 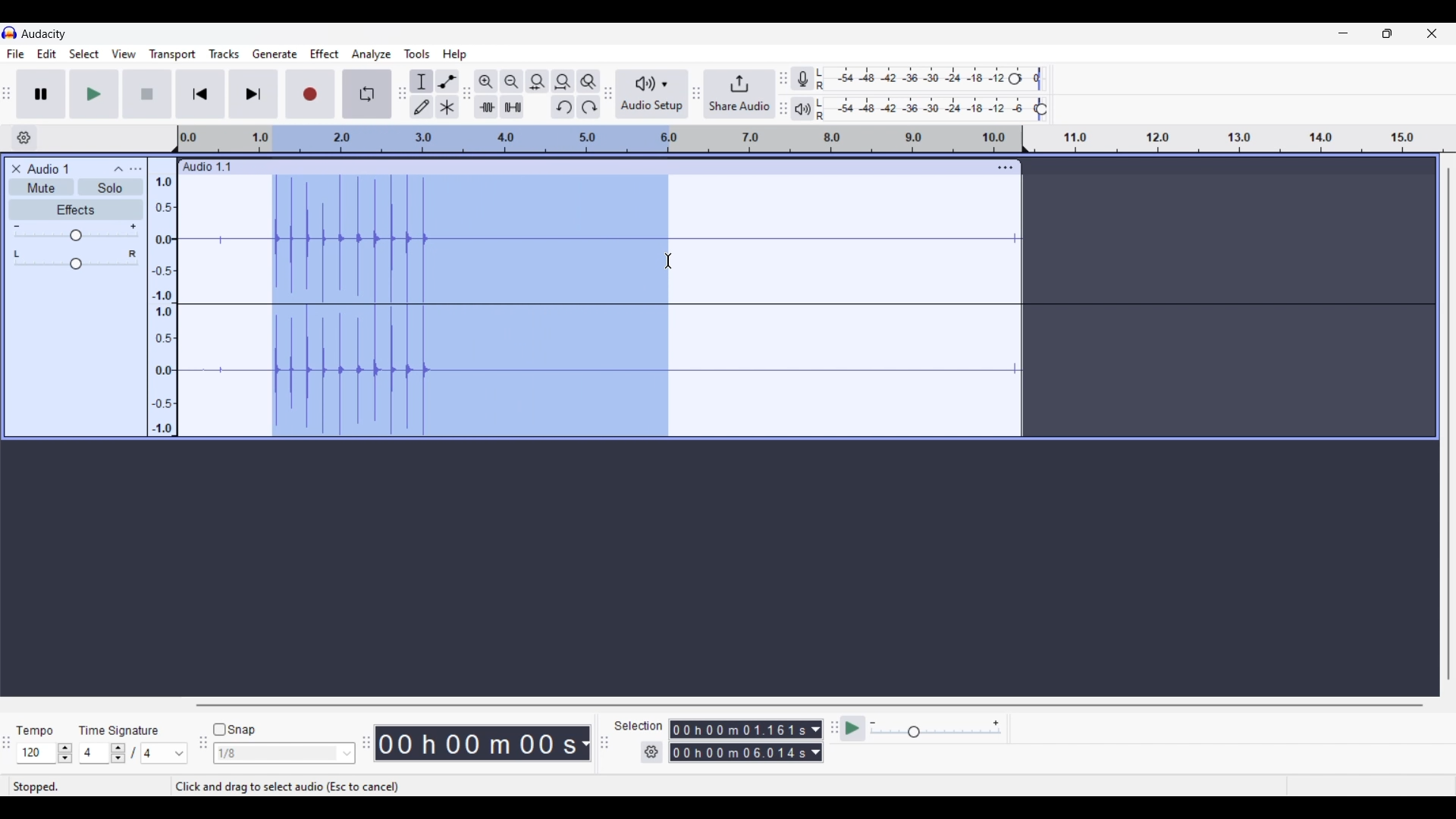 I want to click on Solo, so click(x=110, y=187).